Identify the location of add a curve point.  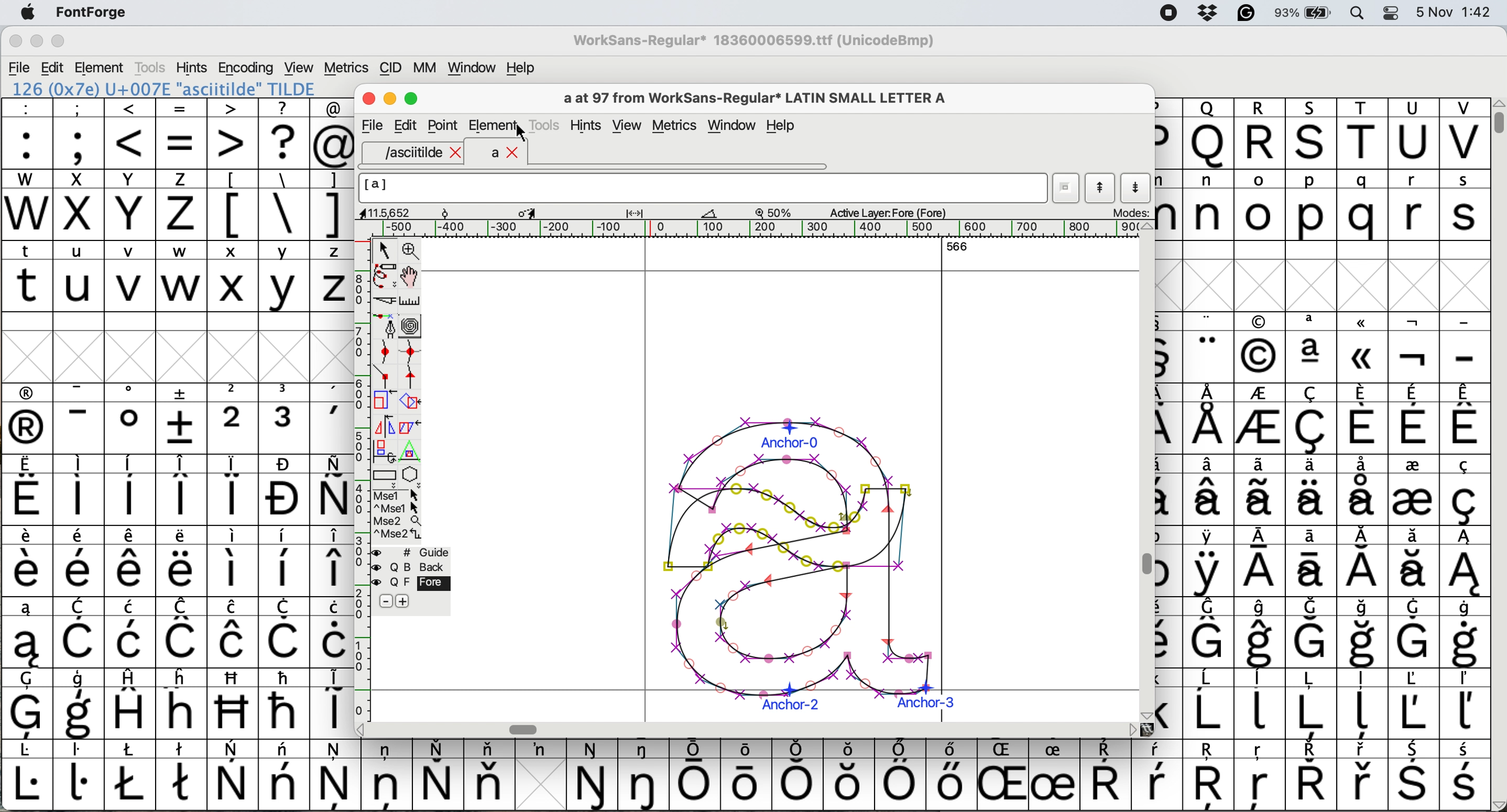
(386, 352).